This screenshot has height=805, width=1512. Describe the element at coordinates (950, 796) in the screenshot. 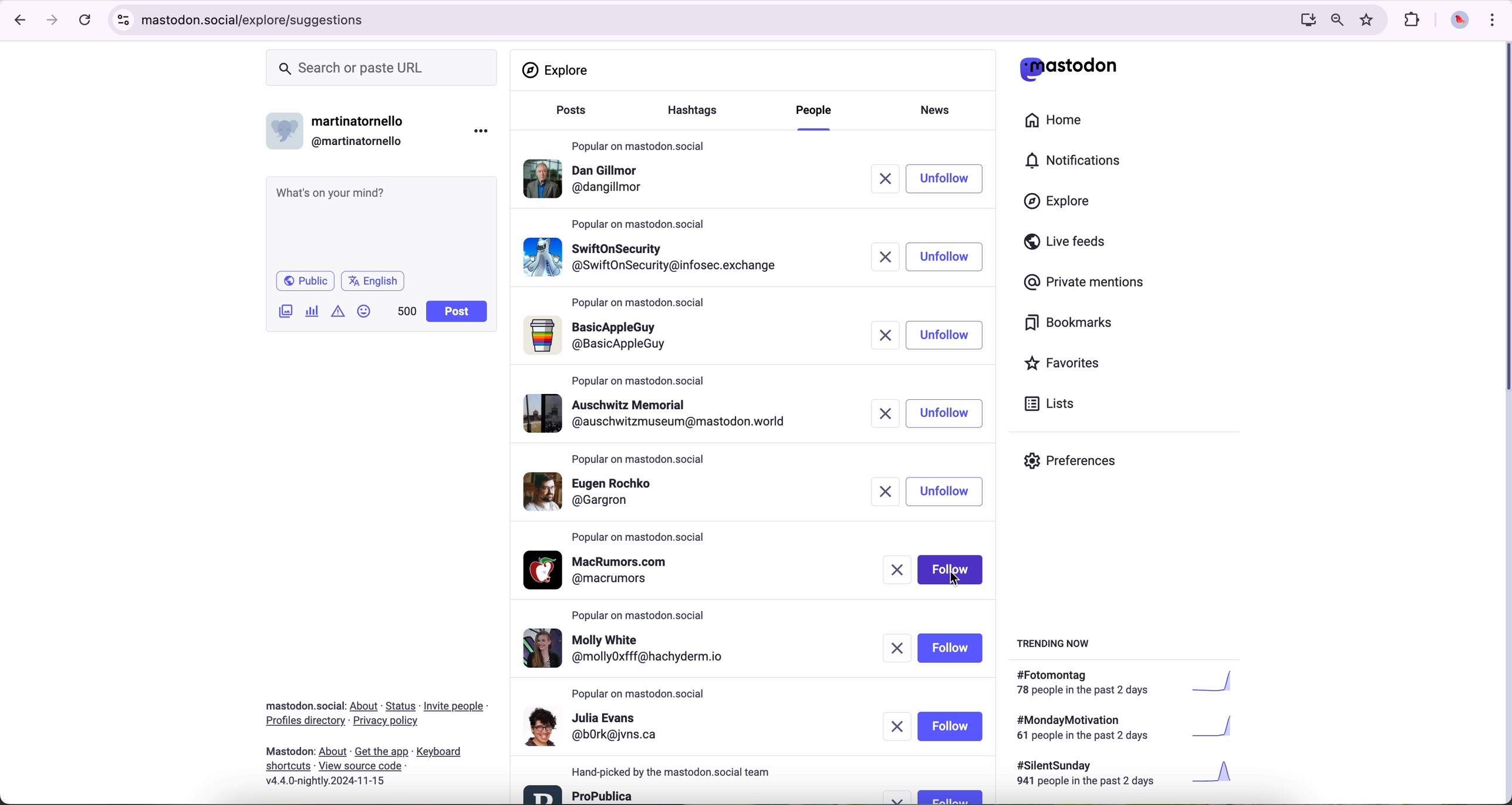

I see `follow button` at that location.